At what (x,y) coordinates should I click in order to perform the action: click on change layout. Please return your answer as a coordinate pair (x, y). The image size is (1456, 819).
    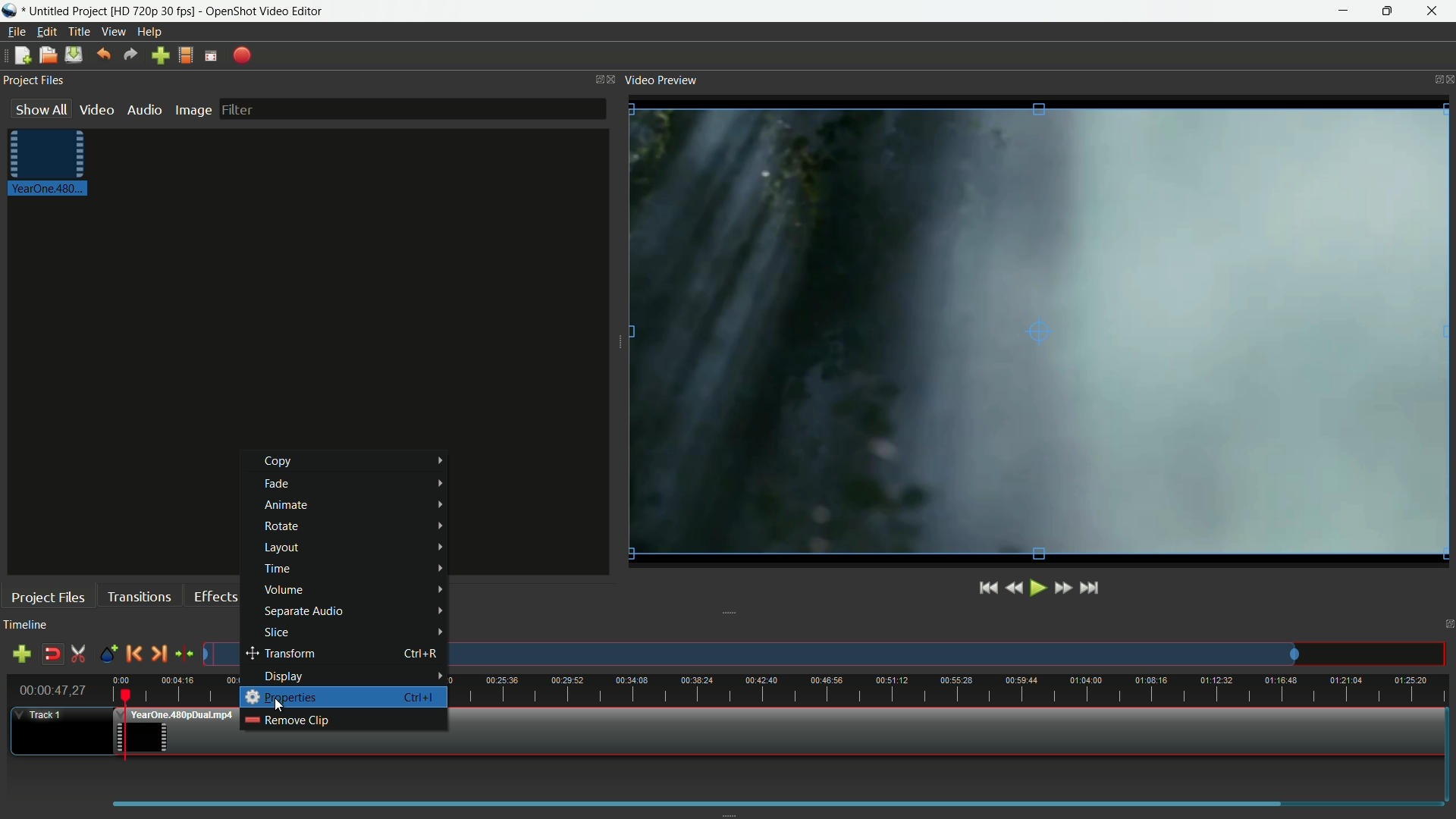
    Looking at the image, I should click on (595, 79).